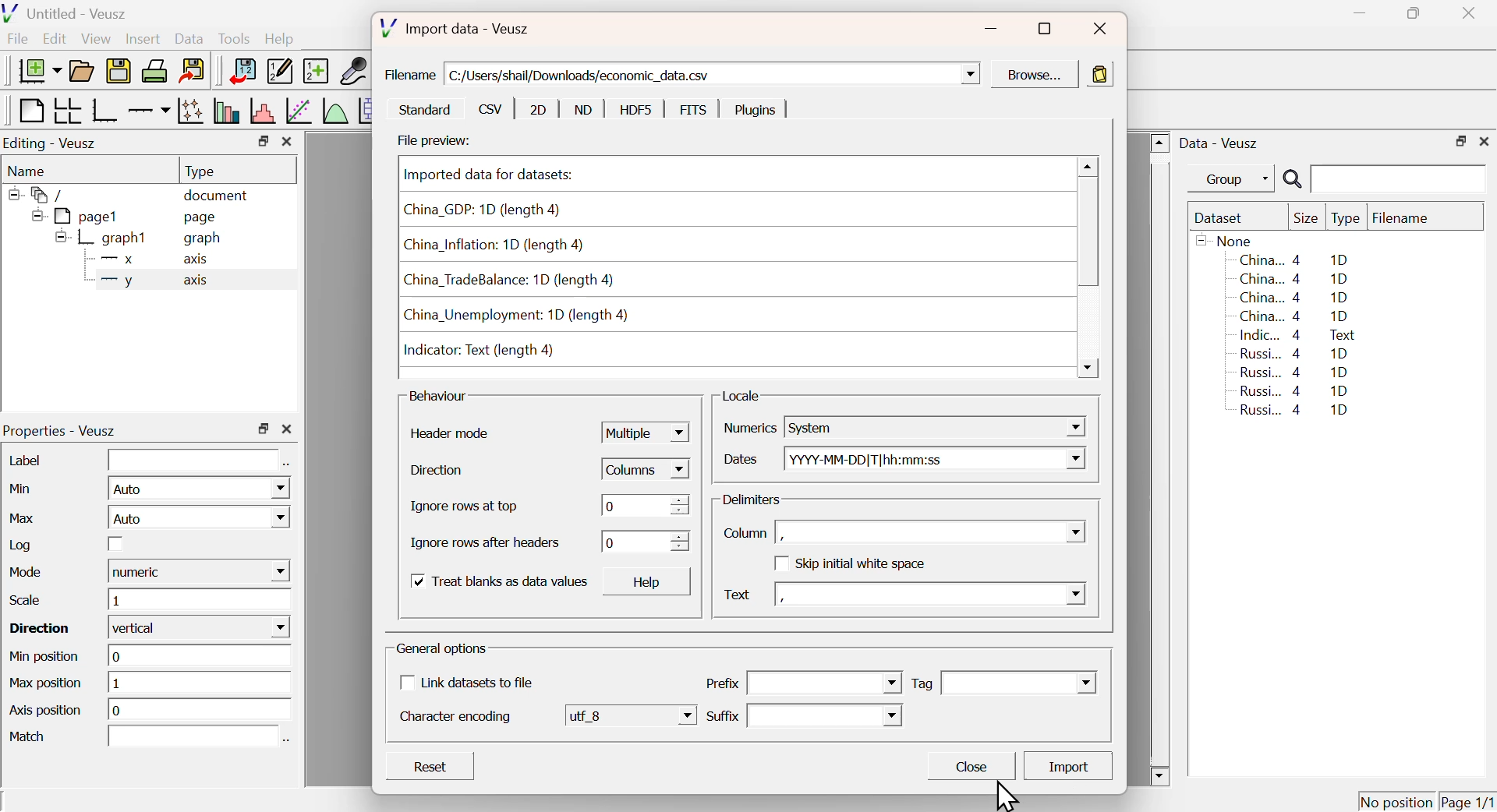 This screenshot has height=812, width=1497. Describe the element at coordinates (1297, 411) in the screenshot. I see `Russi... 4 1D` at that location.